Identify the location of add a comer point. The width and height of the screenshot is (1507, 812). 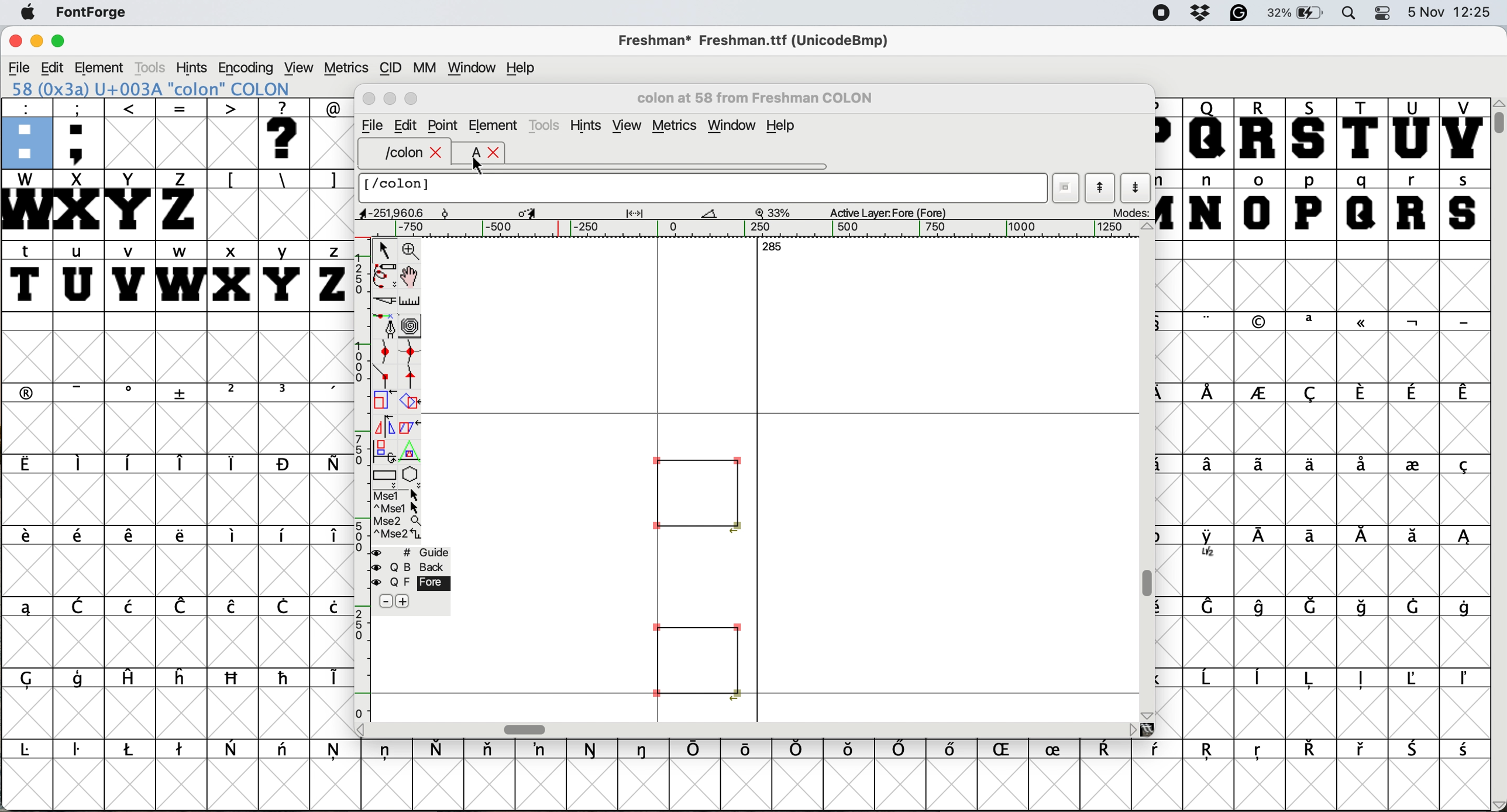
(383, 377).